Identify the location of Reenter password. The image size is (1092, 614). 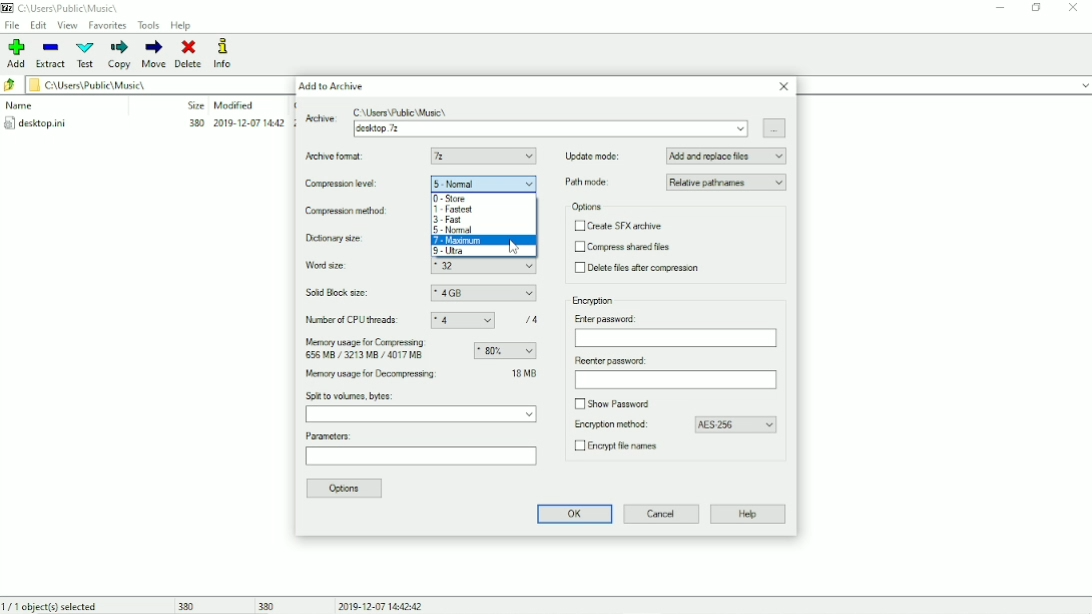
(609, 361).